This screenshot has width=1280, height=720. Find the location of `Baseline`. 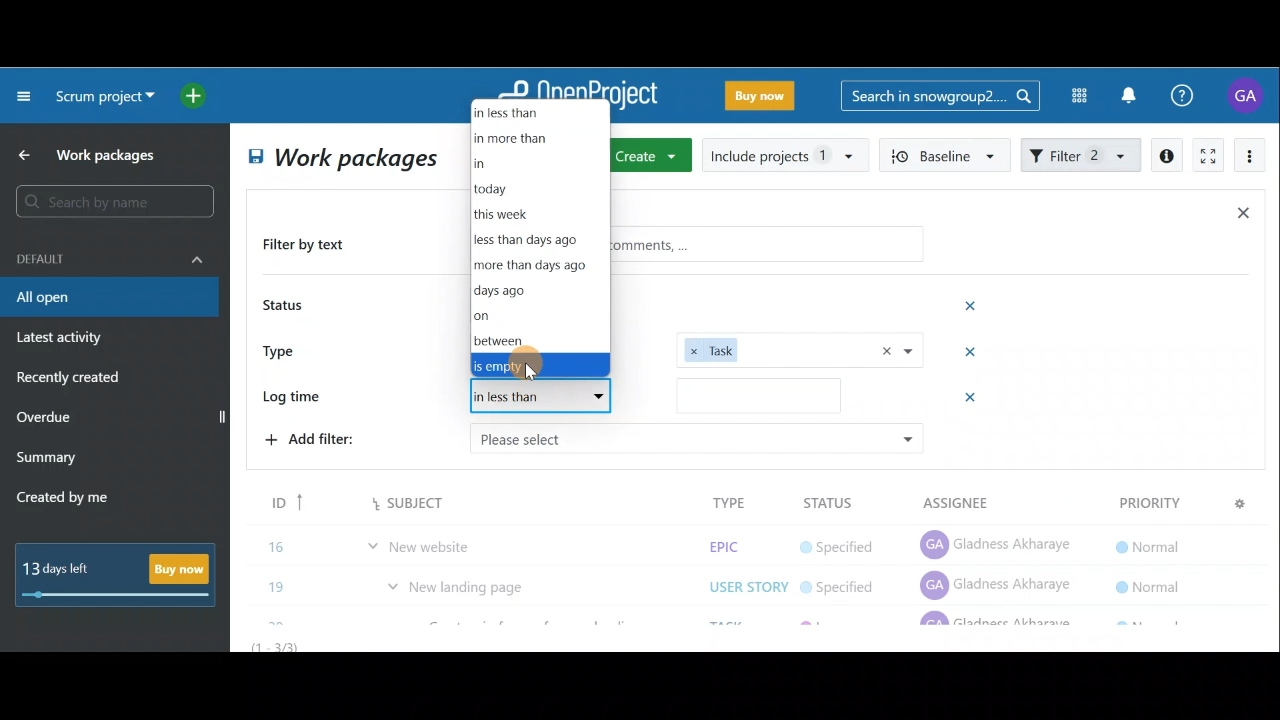

Baseline is located at coordinates (946, 154).